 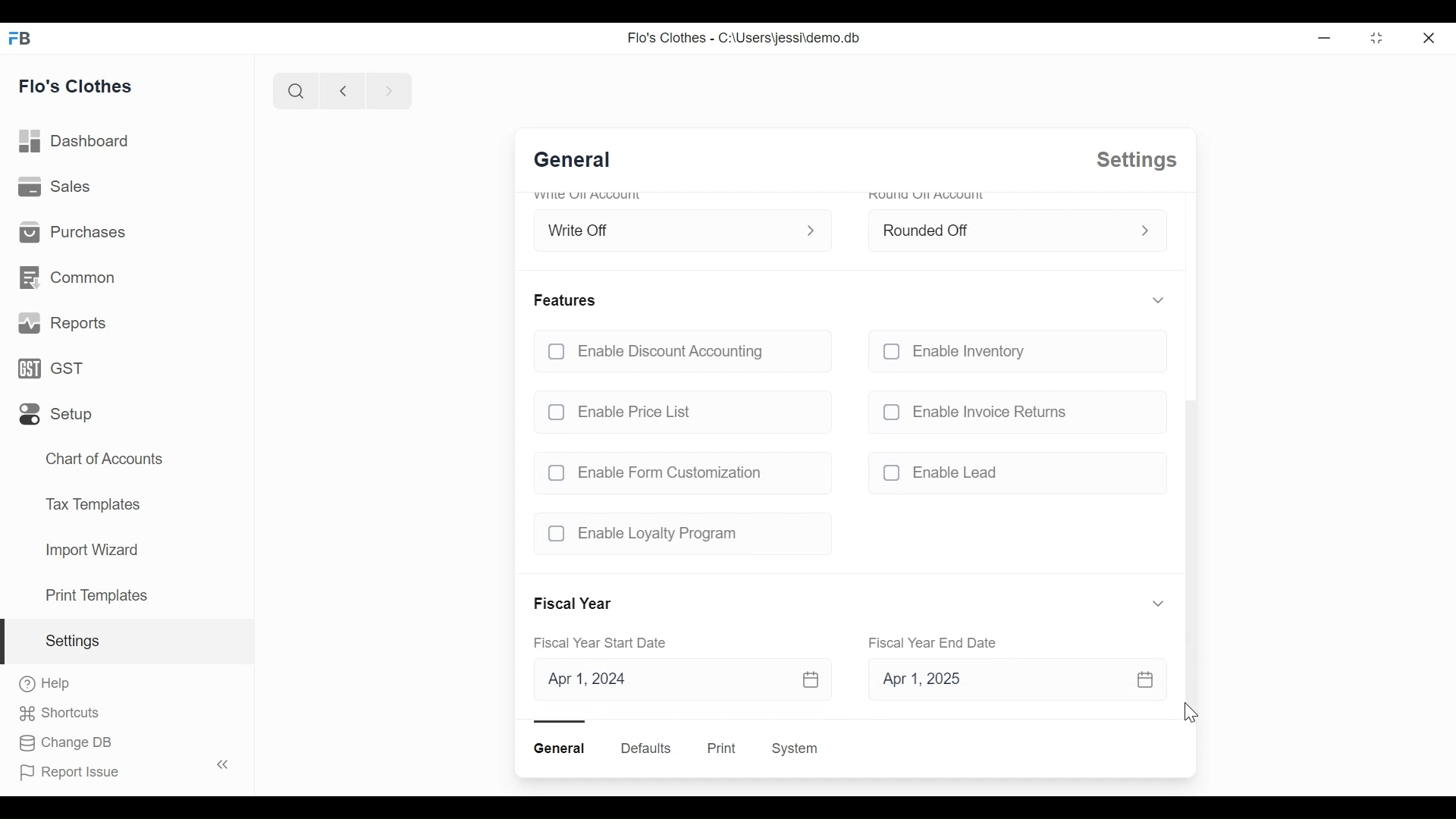 I want to click on Features, so click(x=567, y=300).